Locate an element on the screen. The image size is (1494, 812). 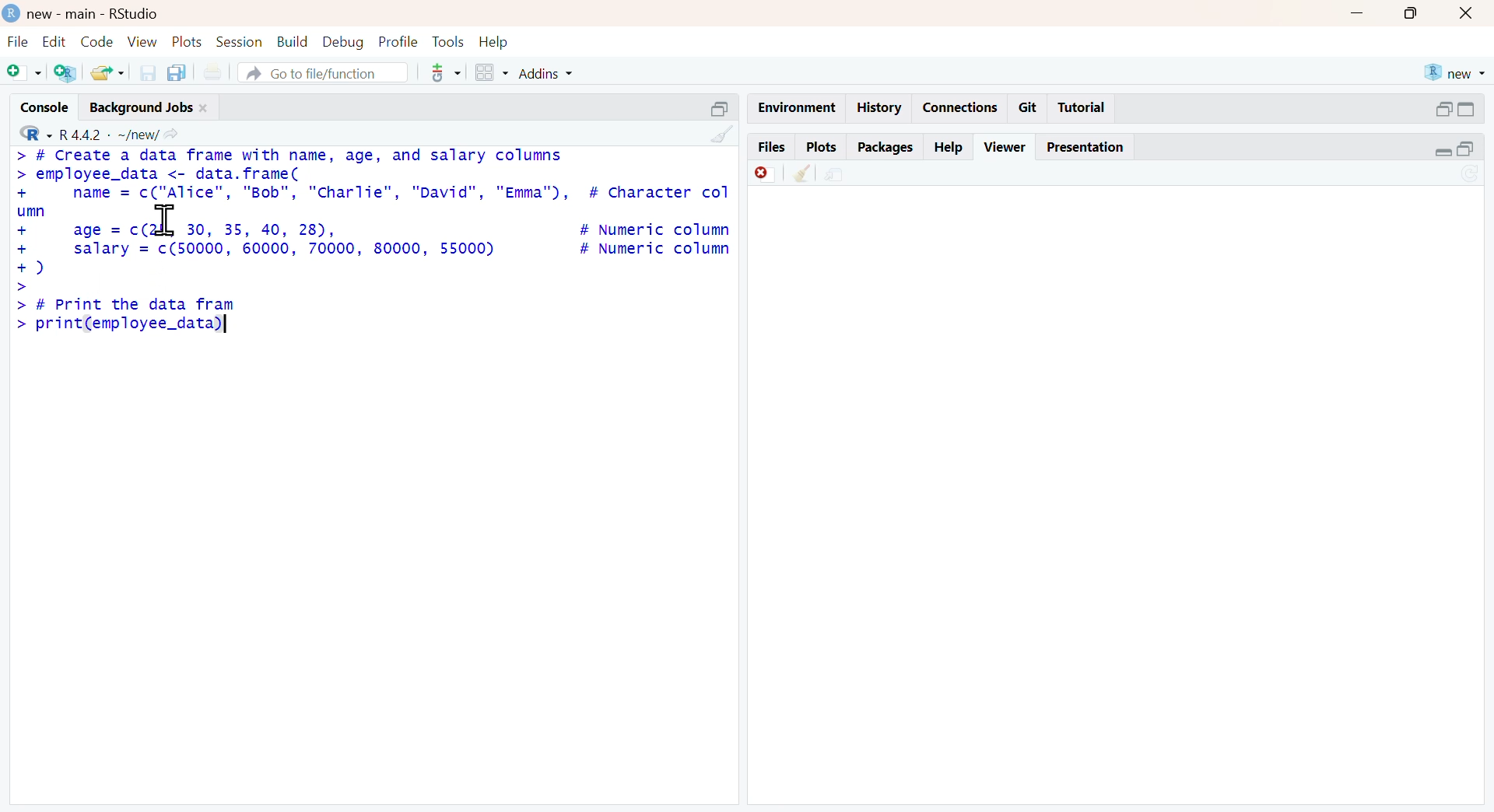
R is located at coordinates (29, 134).